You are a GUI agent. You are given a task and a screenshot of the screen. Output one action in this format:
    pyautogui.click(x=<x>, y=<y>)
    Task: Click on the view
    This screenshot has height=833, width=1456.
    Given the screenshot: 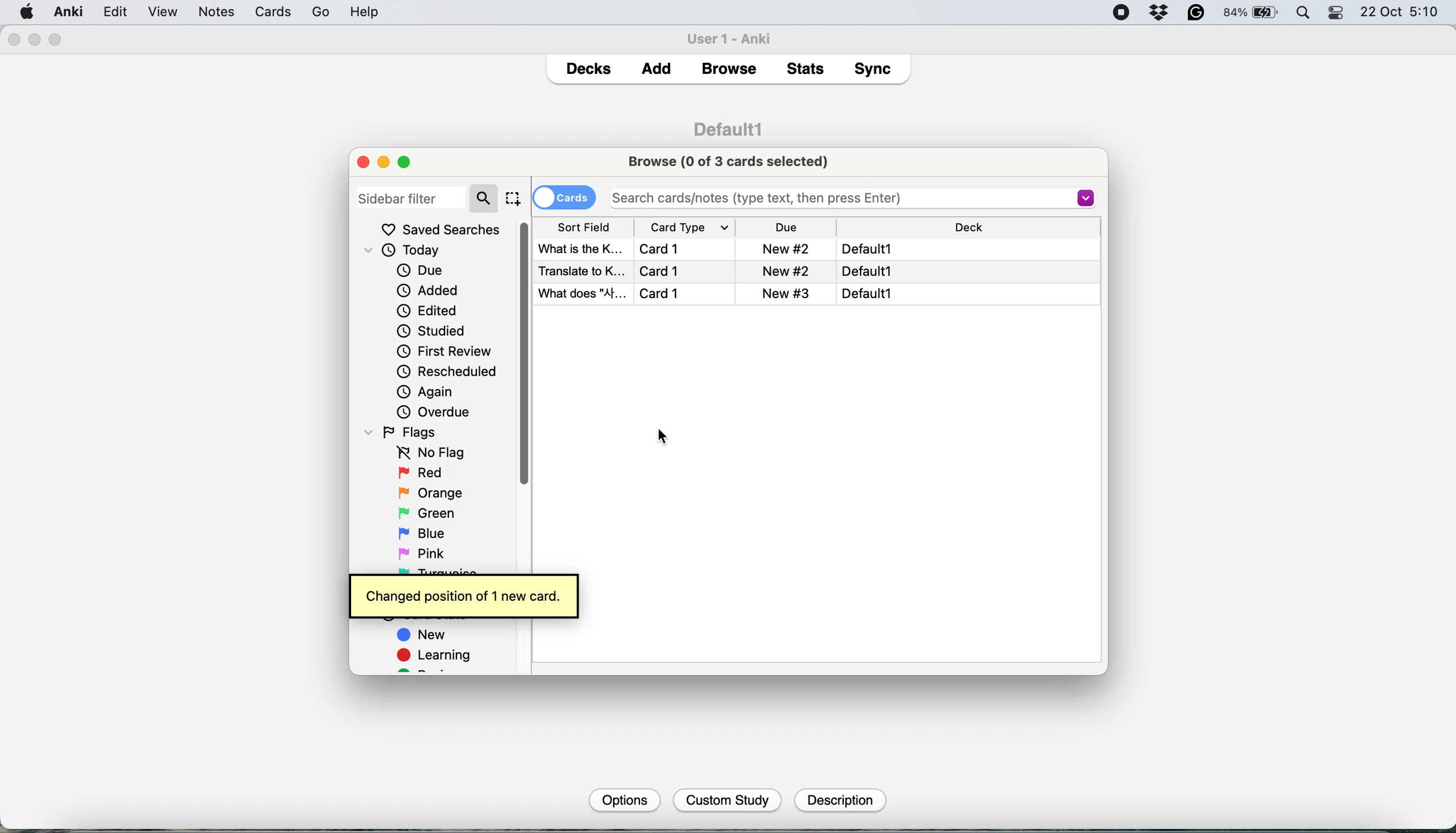 What is the action you would take?
    pyautogui.click(x=209, y=13)
    